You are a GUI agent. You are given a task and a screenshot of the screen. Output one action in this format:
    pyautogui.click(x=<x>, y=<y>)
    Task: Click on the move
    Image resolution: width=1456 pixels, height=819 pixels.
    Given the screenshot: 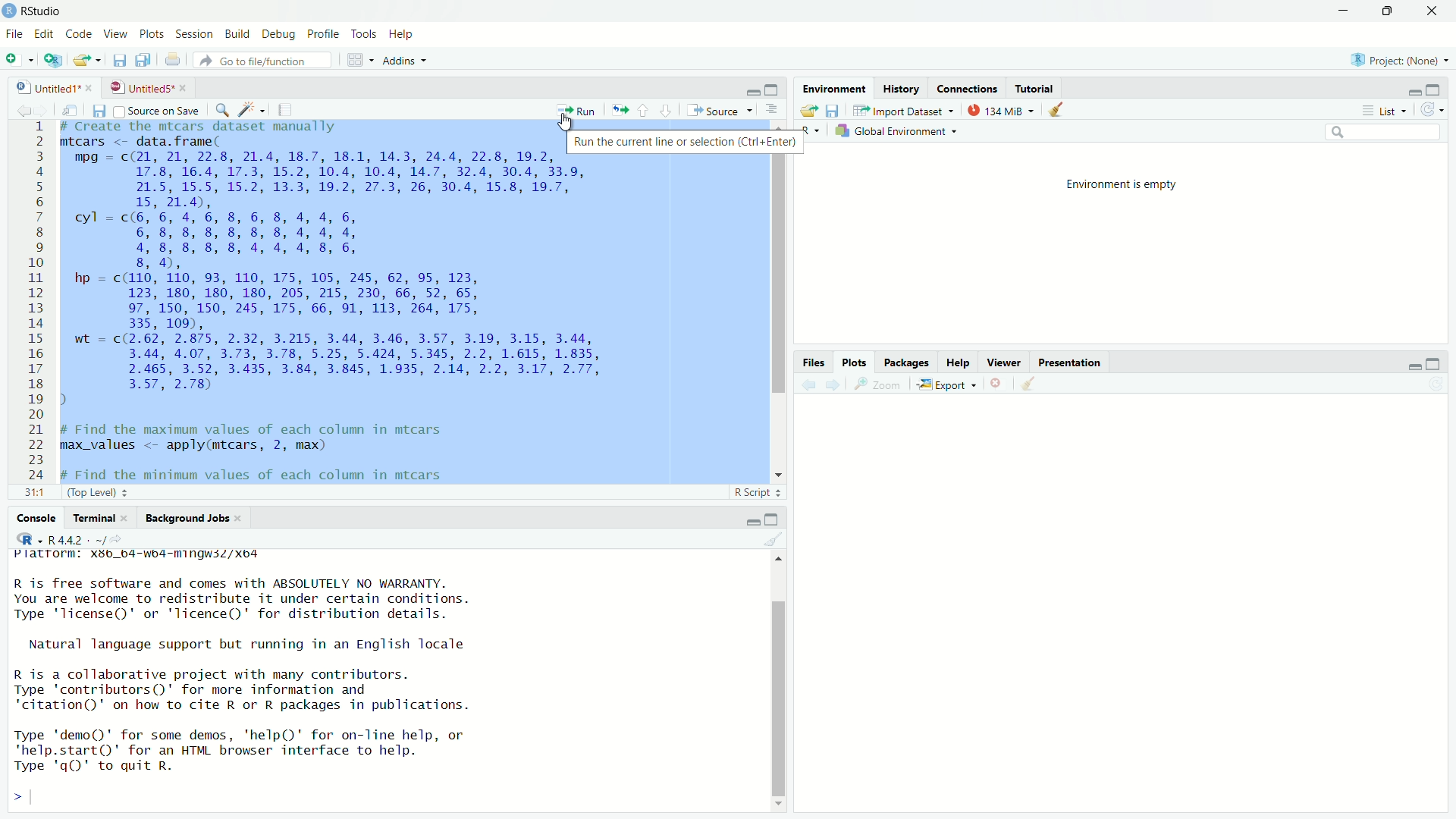 What is the action you would take?
    pyautogui.click(x=76, y=111)
    